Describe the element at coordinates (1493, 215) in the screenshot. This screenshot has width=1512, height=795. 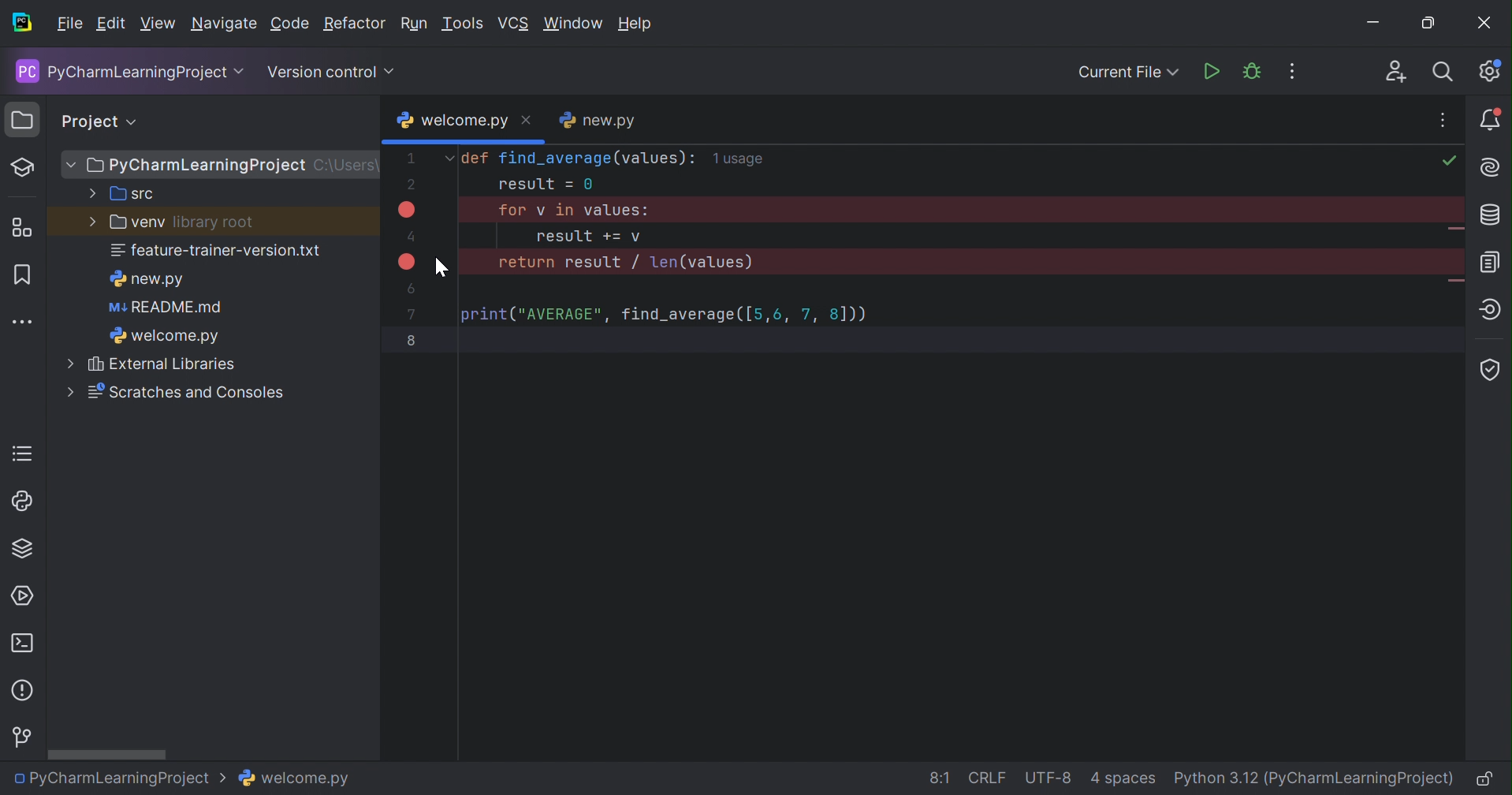
I see `Database` at that location.